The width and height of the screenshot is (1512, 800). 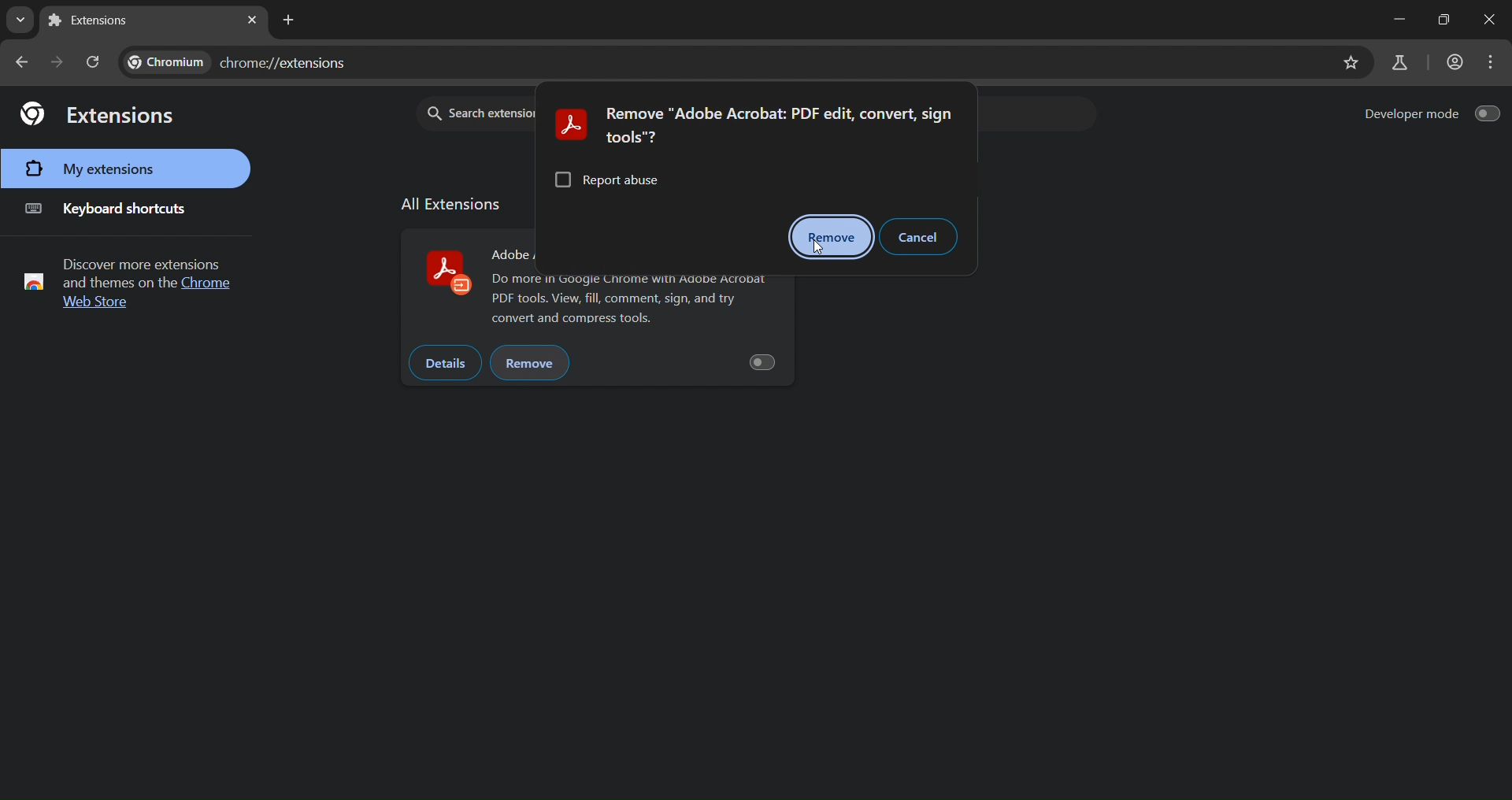 What do you see at coordinates (95, 63) in the screenshot?
I see `reload page` at bounding box center [95, 63].